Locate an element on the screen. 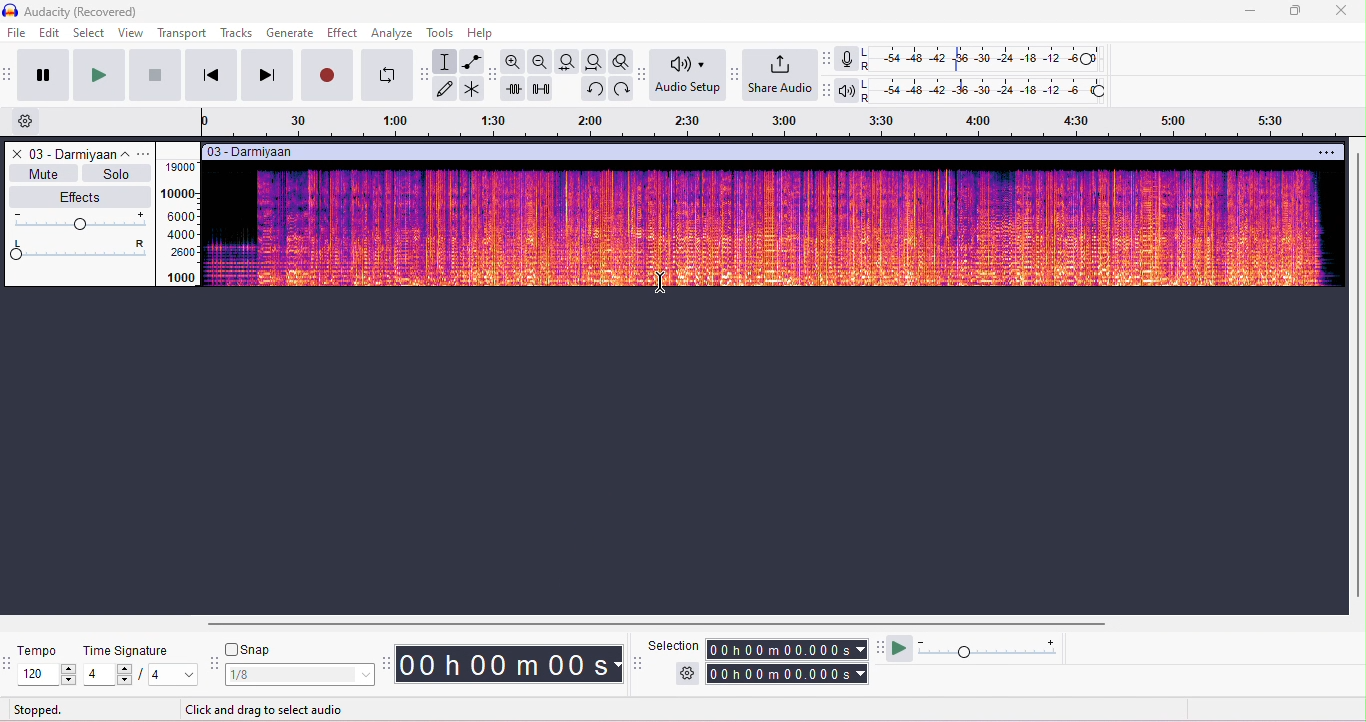 The width and height of the screenshot is (1366, 722). cursor is located at coordinates (662, 283).